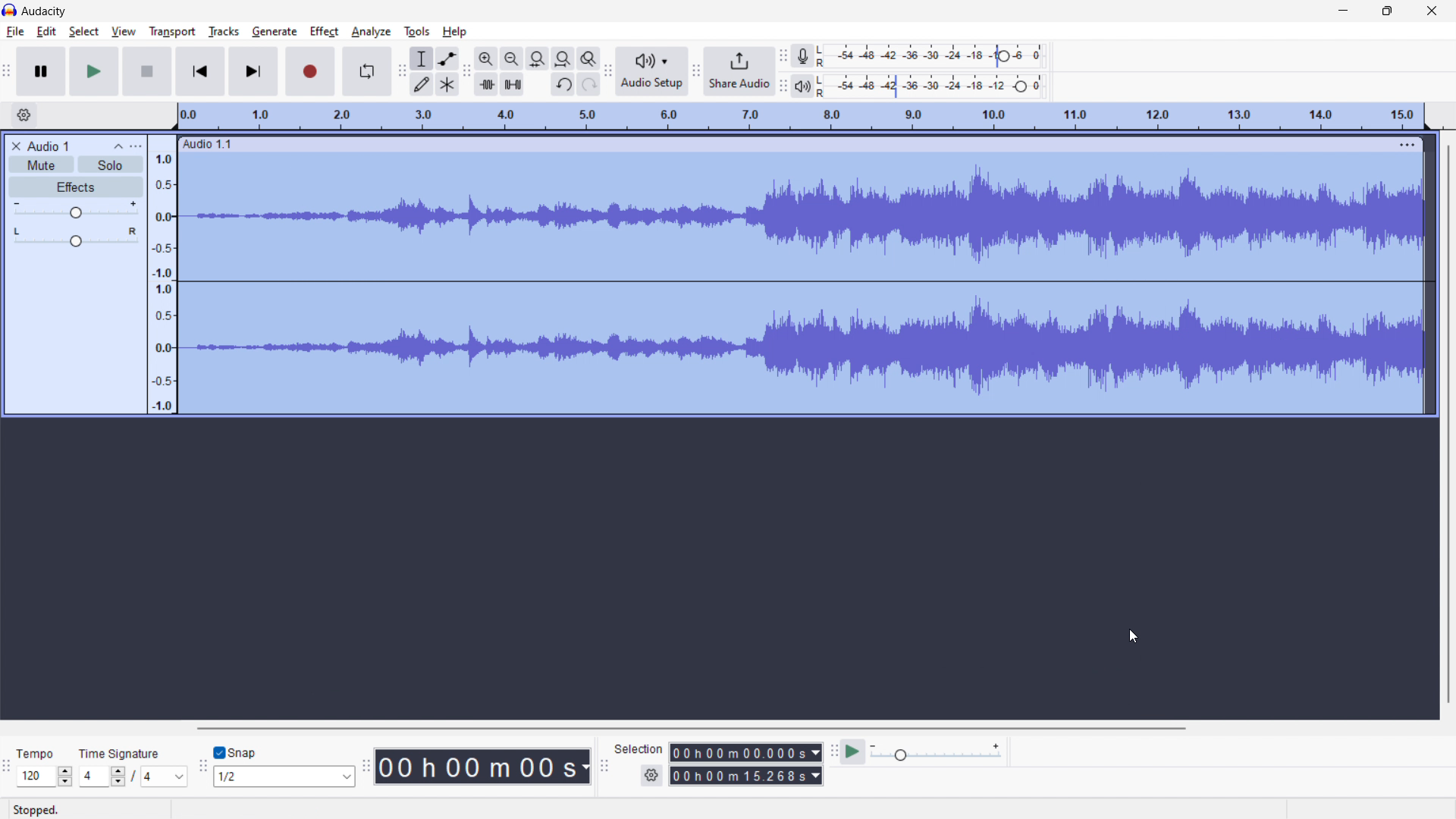  Describe the element at coordinates (936, 86) in the screenshot. I see `playback level` at that location.